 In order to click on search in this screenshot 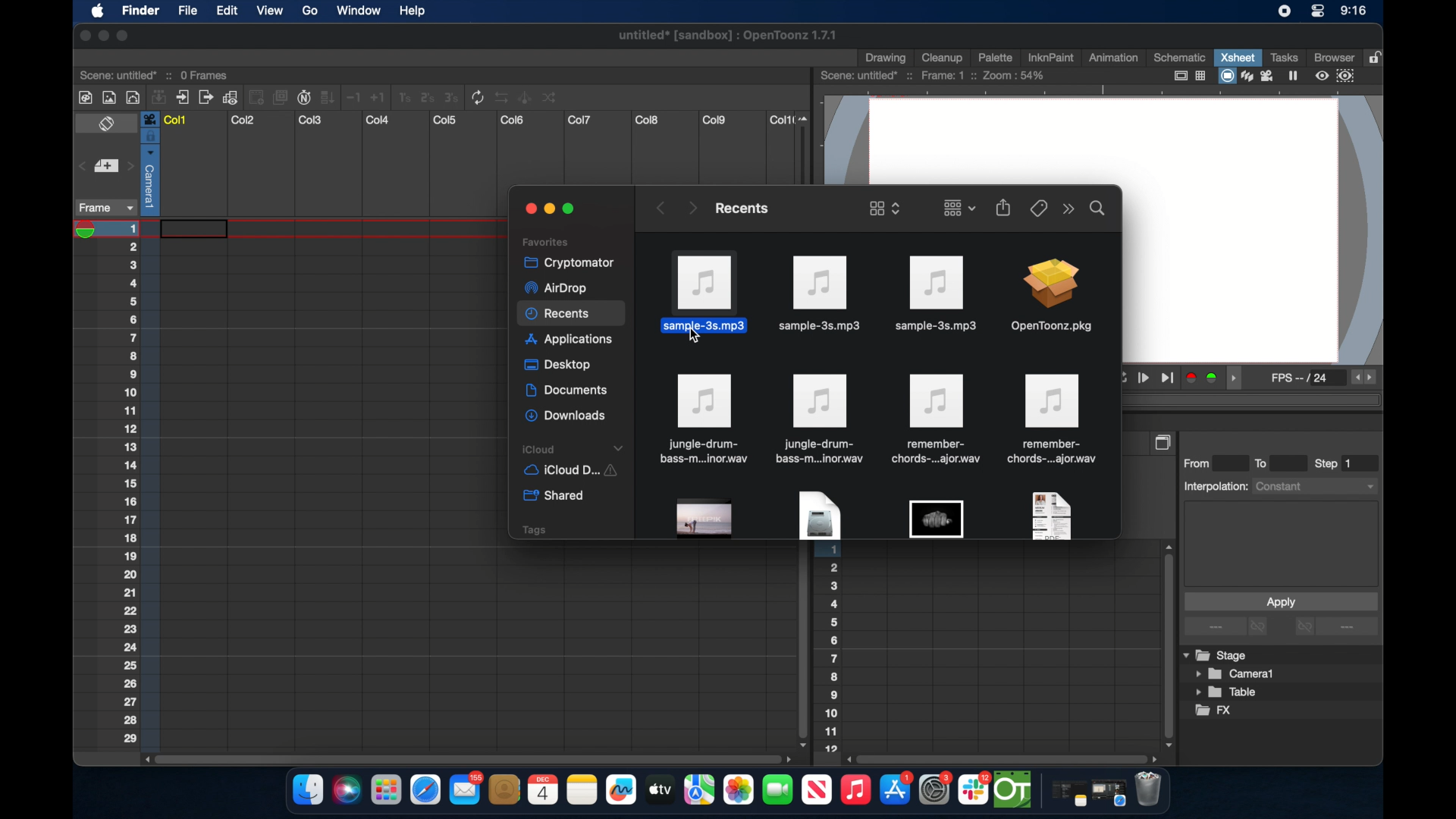, I will do `click(1098, 207)`.